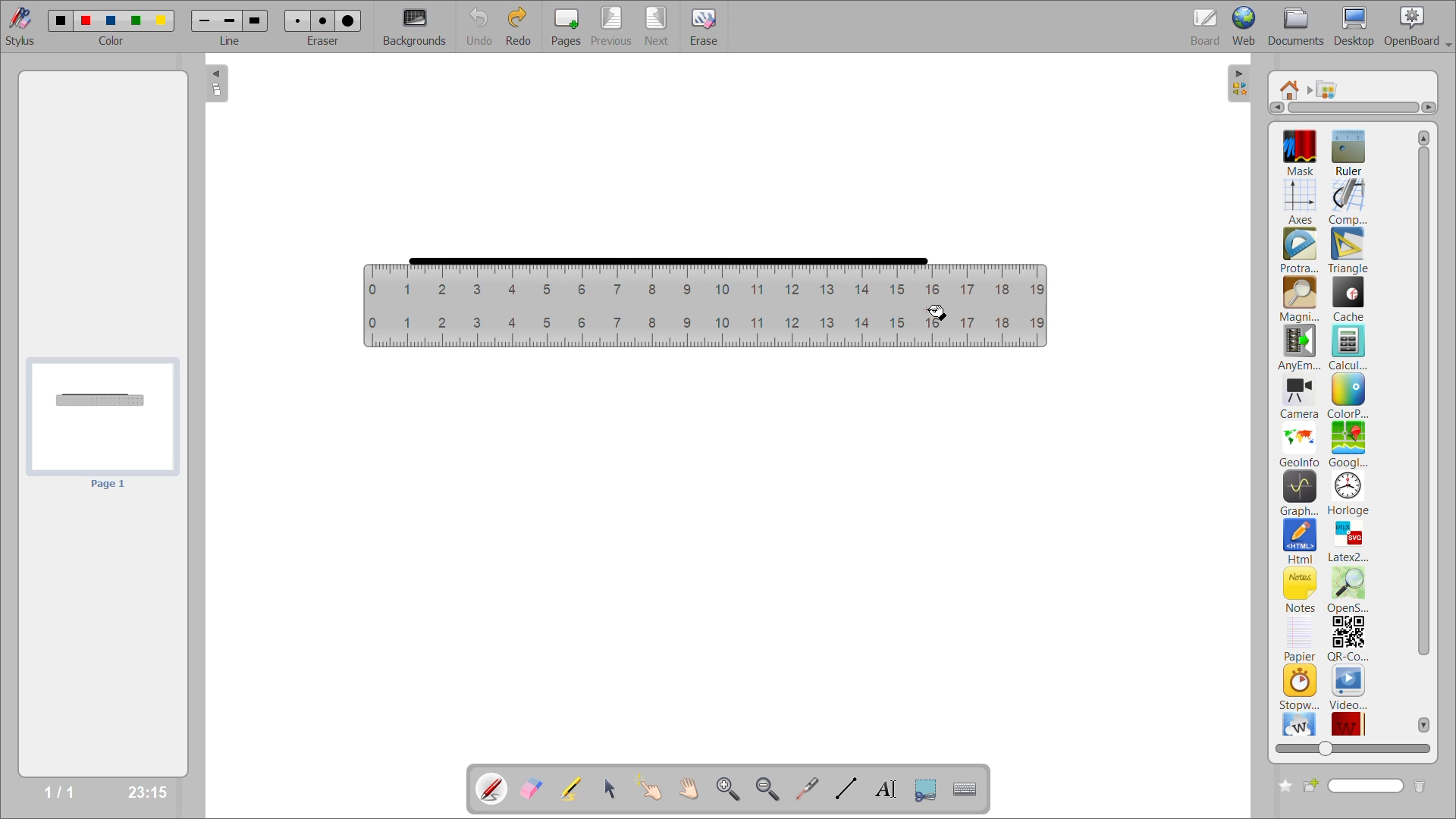  Describe the element at coordinates (417, 27) in the screenshot. I see `backgrounds` at that location.